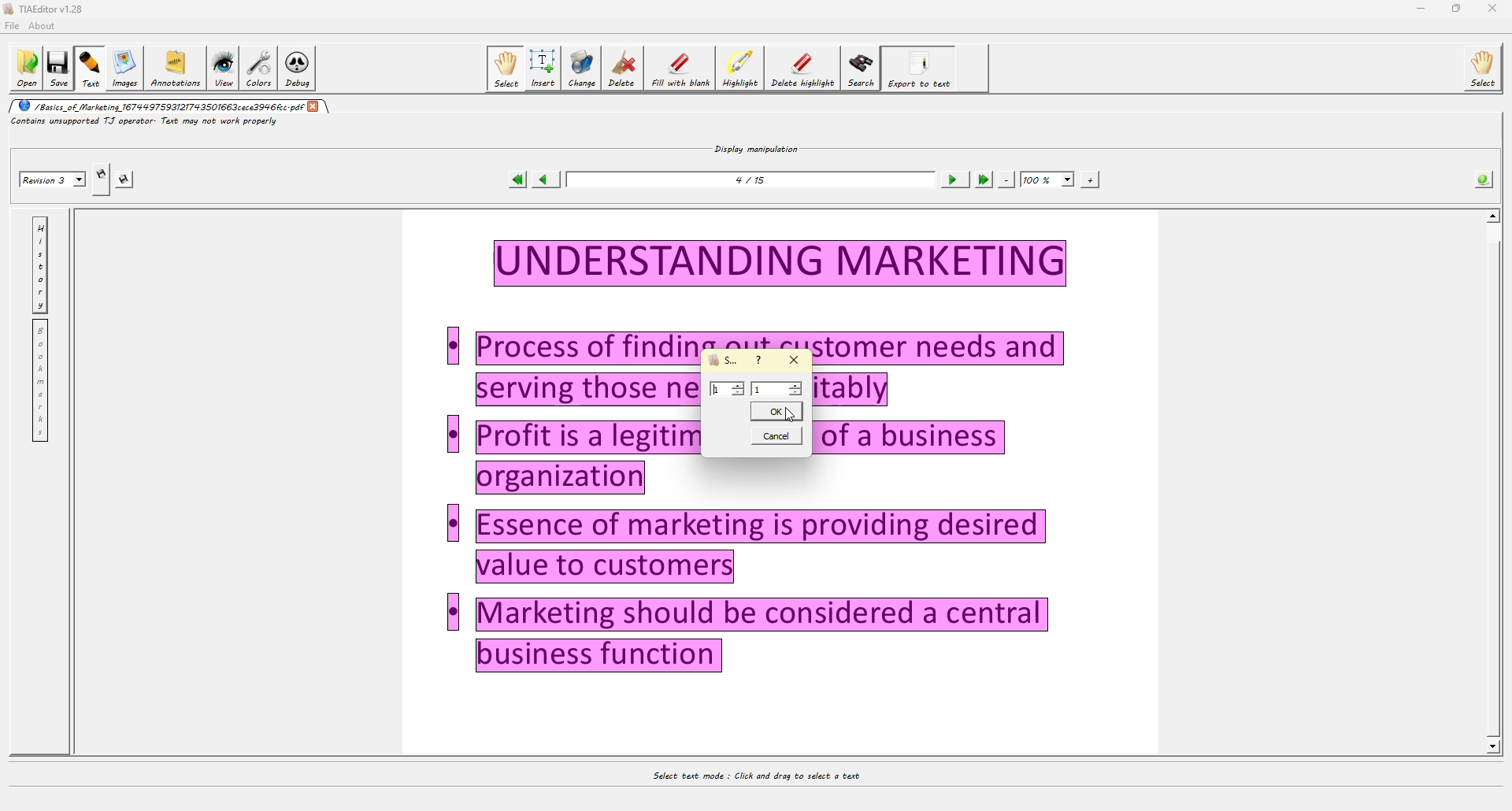  Describe the element at coordinates (753, 183) in the screenshot. I see `page number` at that location.